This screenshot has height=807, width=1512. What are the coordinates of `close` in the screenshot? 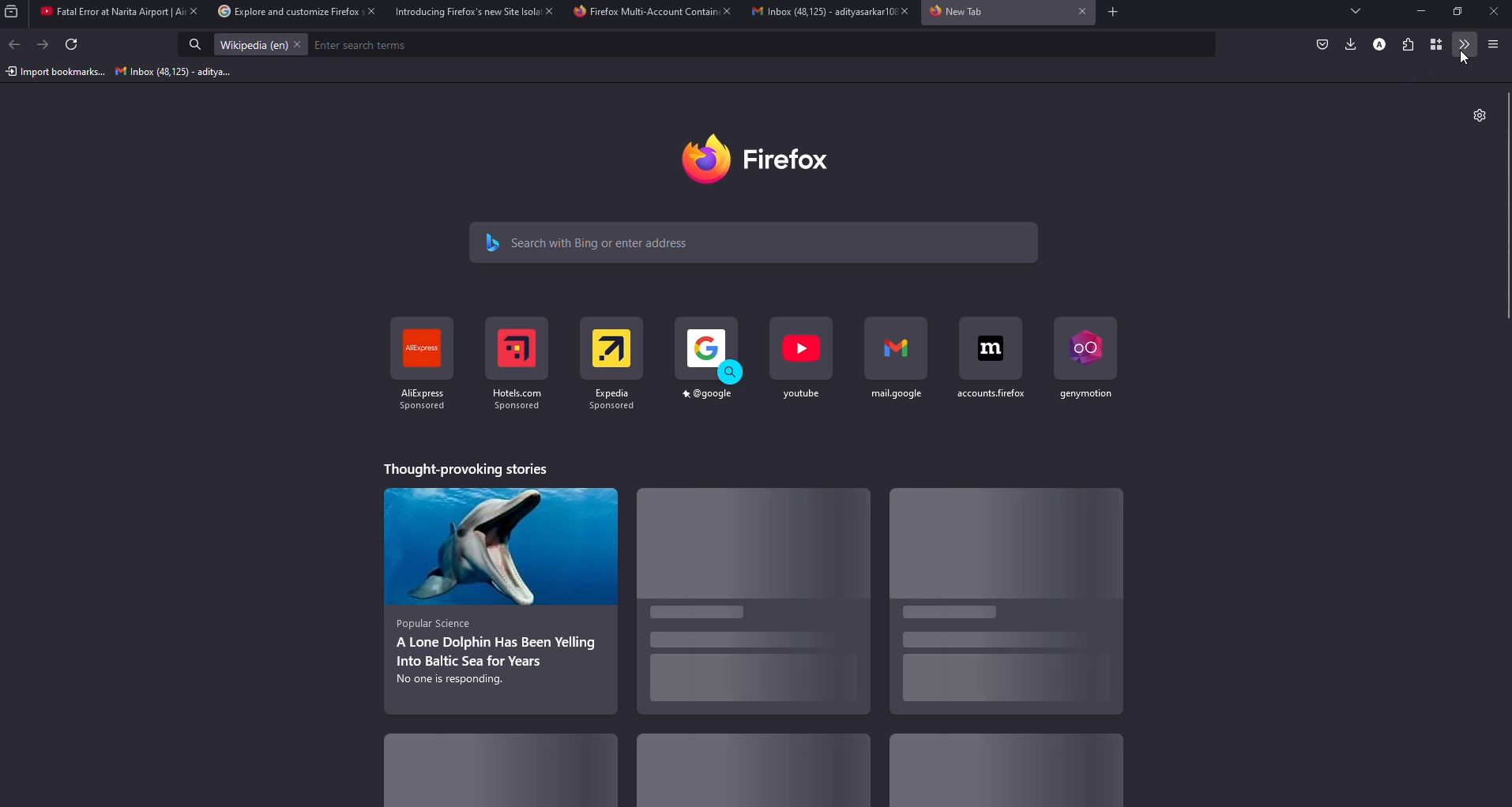 It's located at (367, 12).